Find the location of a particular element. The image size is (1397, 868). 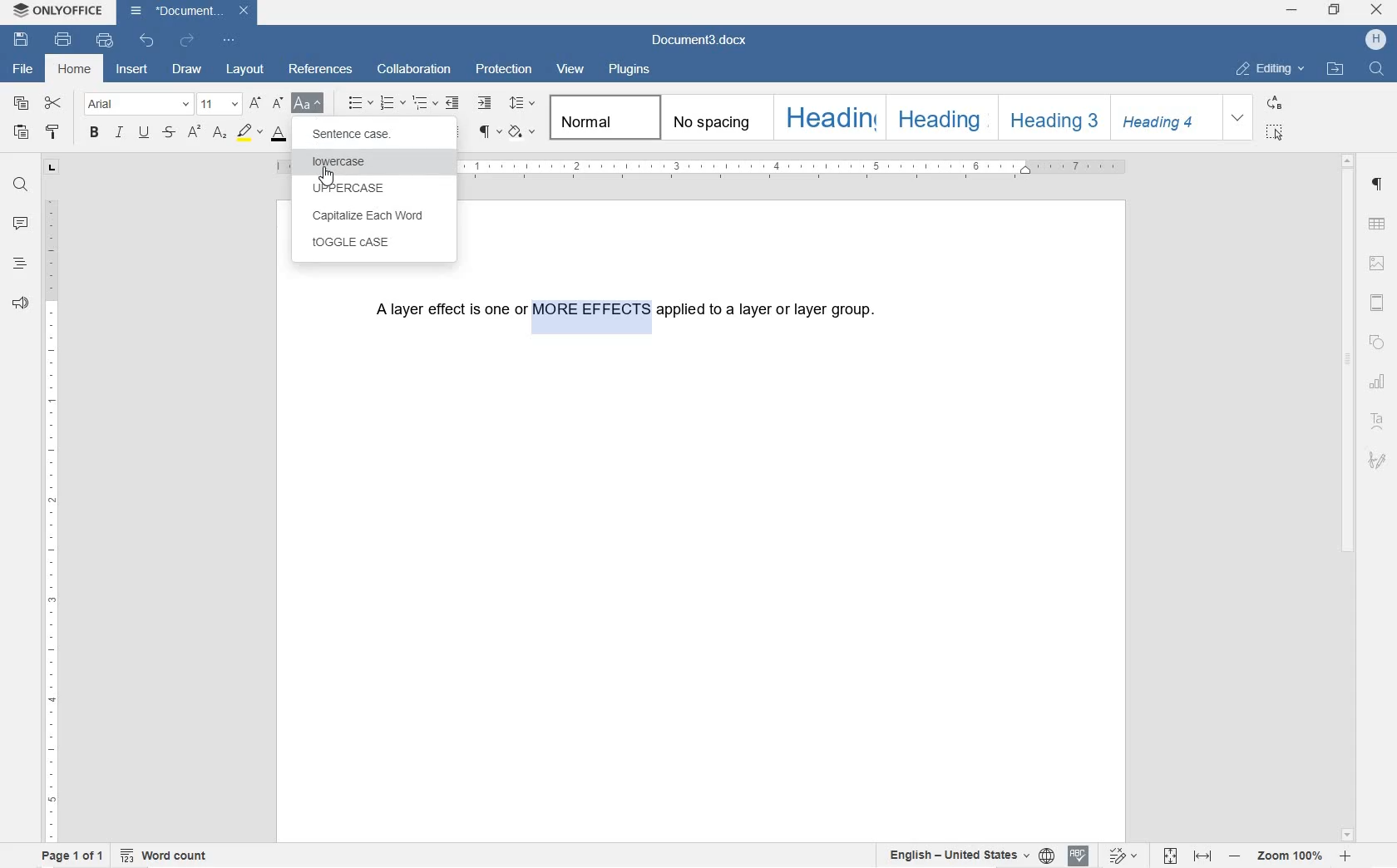

ITALIC is located at coordinates (121, 133).